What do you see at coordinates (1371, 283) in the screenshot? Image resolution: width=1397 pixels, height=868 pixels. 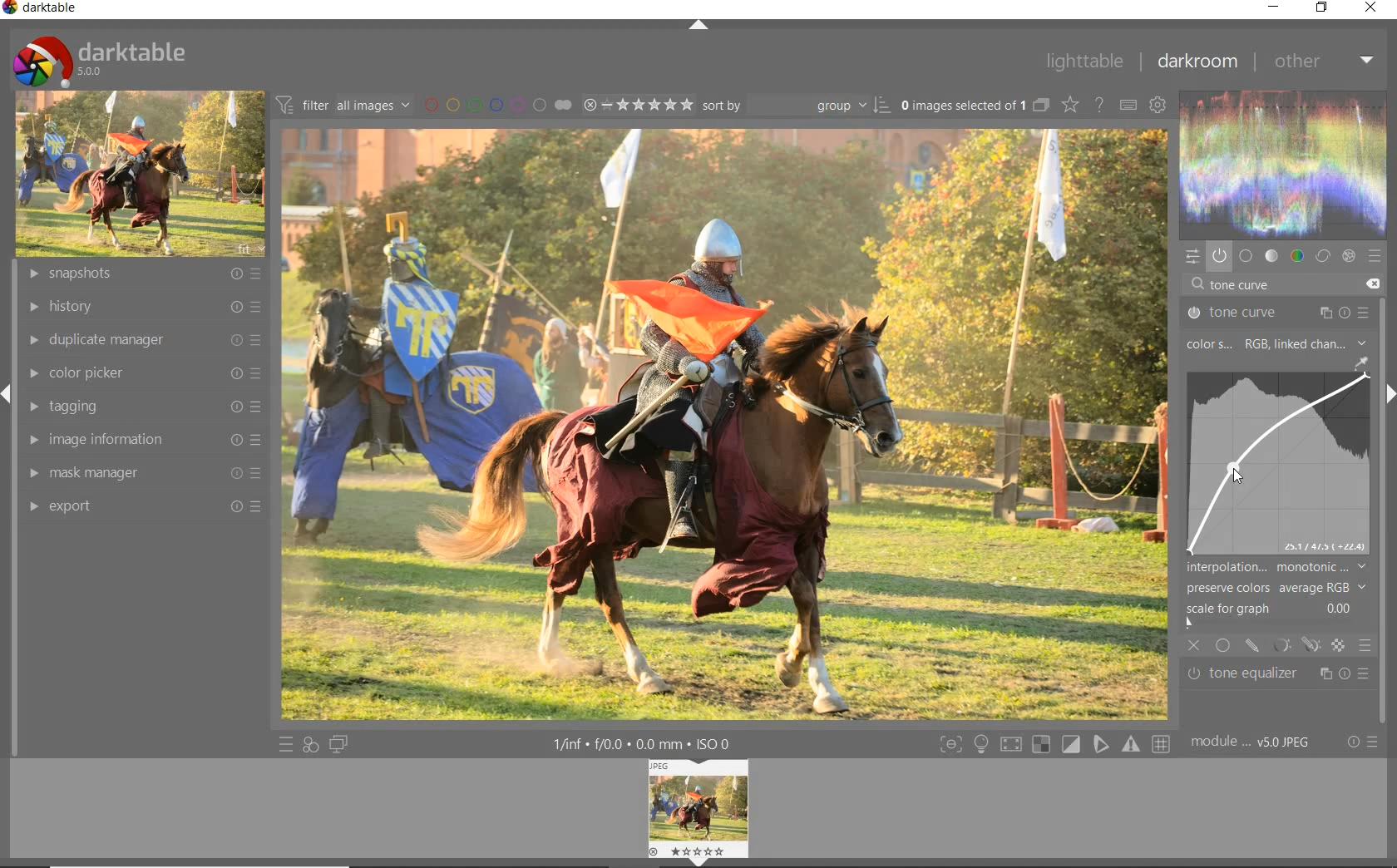 I see `delete` at bounding box center [1371, 283].